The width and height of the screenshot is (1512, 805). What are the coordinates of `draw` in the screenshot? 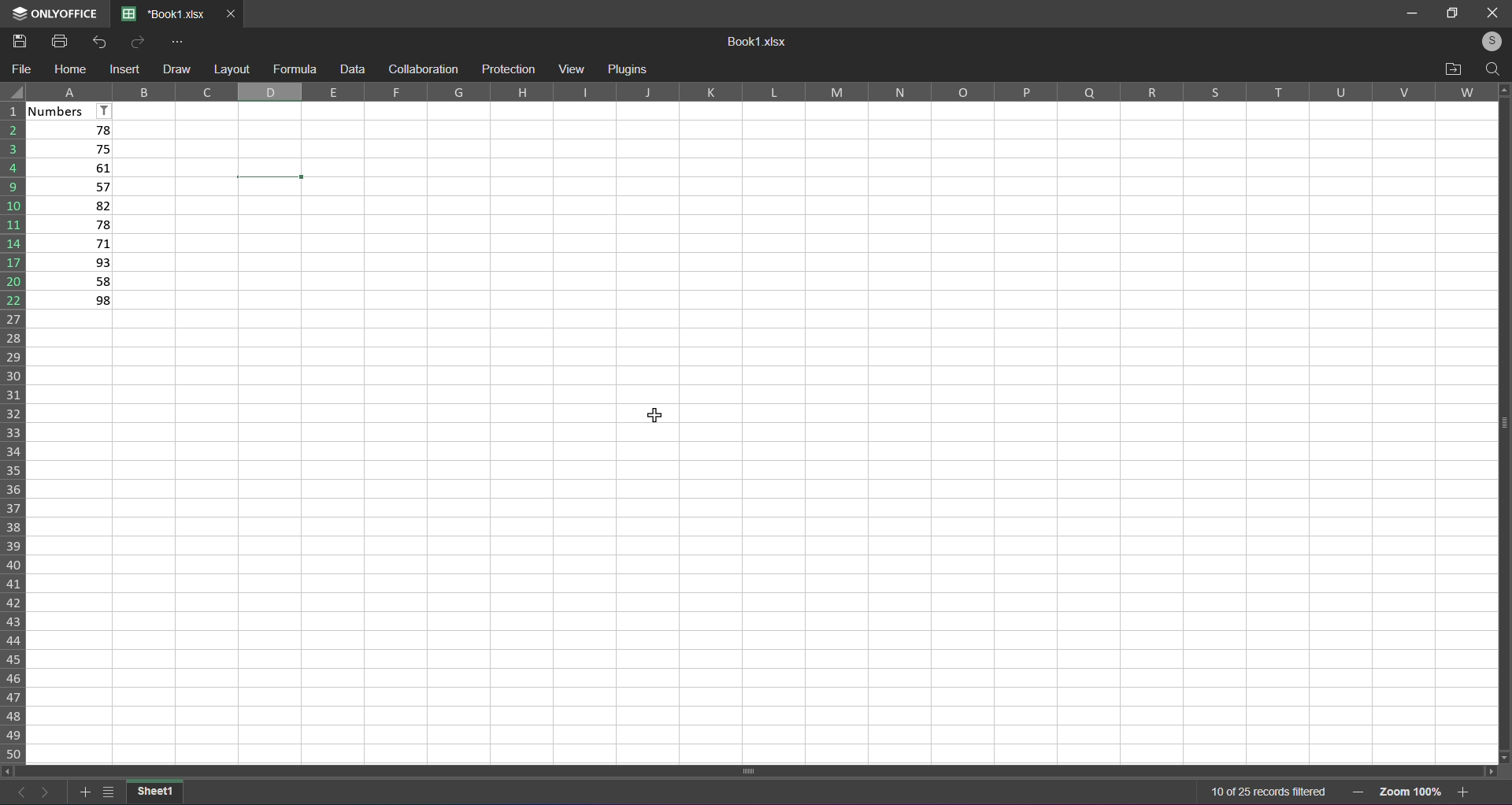 It's located at (176, 68).